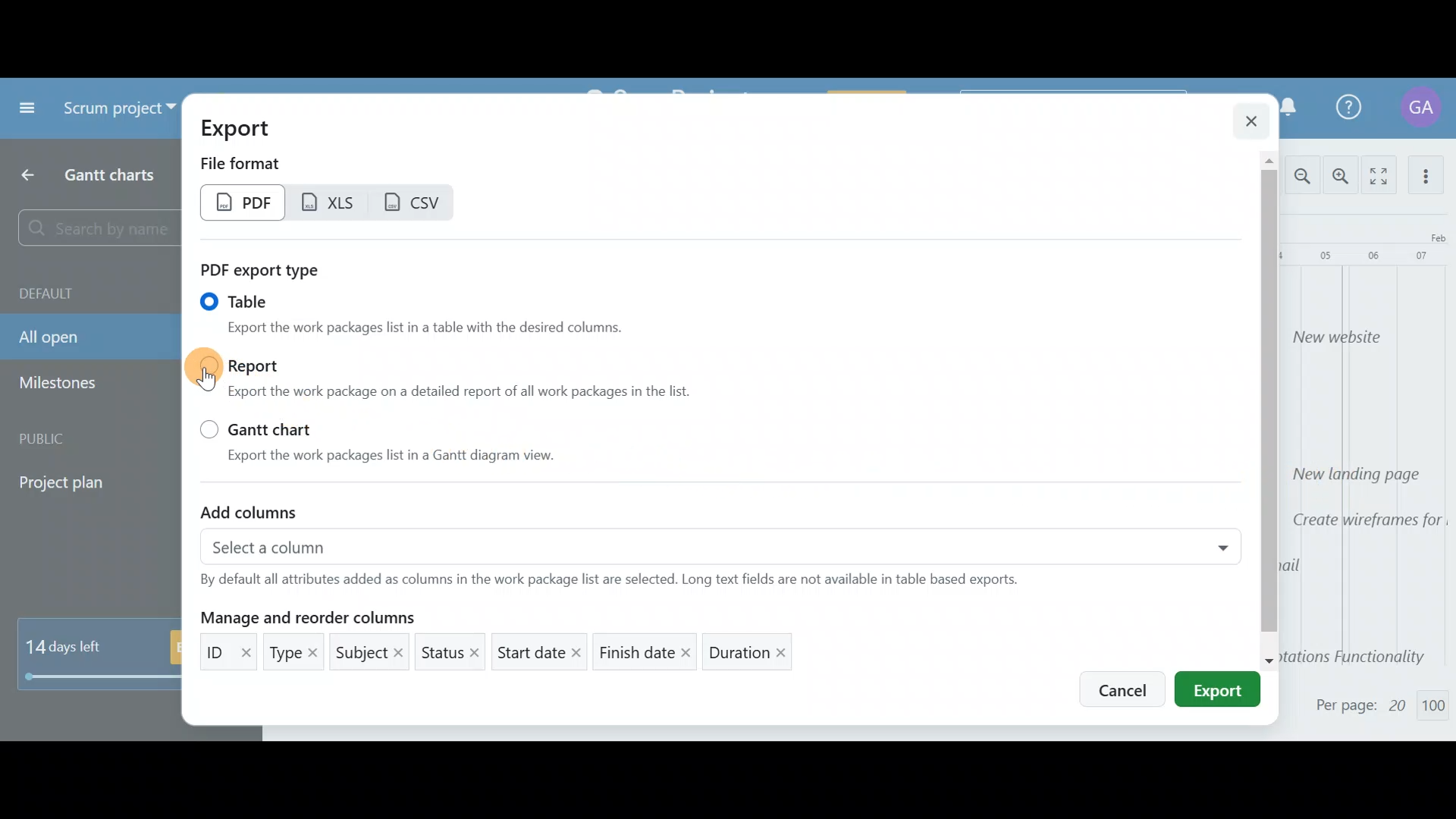  What do you see at coordinates (1352, 105) in the screenshot?
I see `Help` at bounding box center [1352, 105].